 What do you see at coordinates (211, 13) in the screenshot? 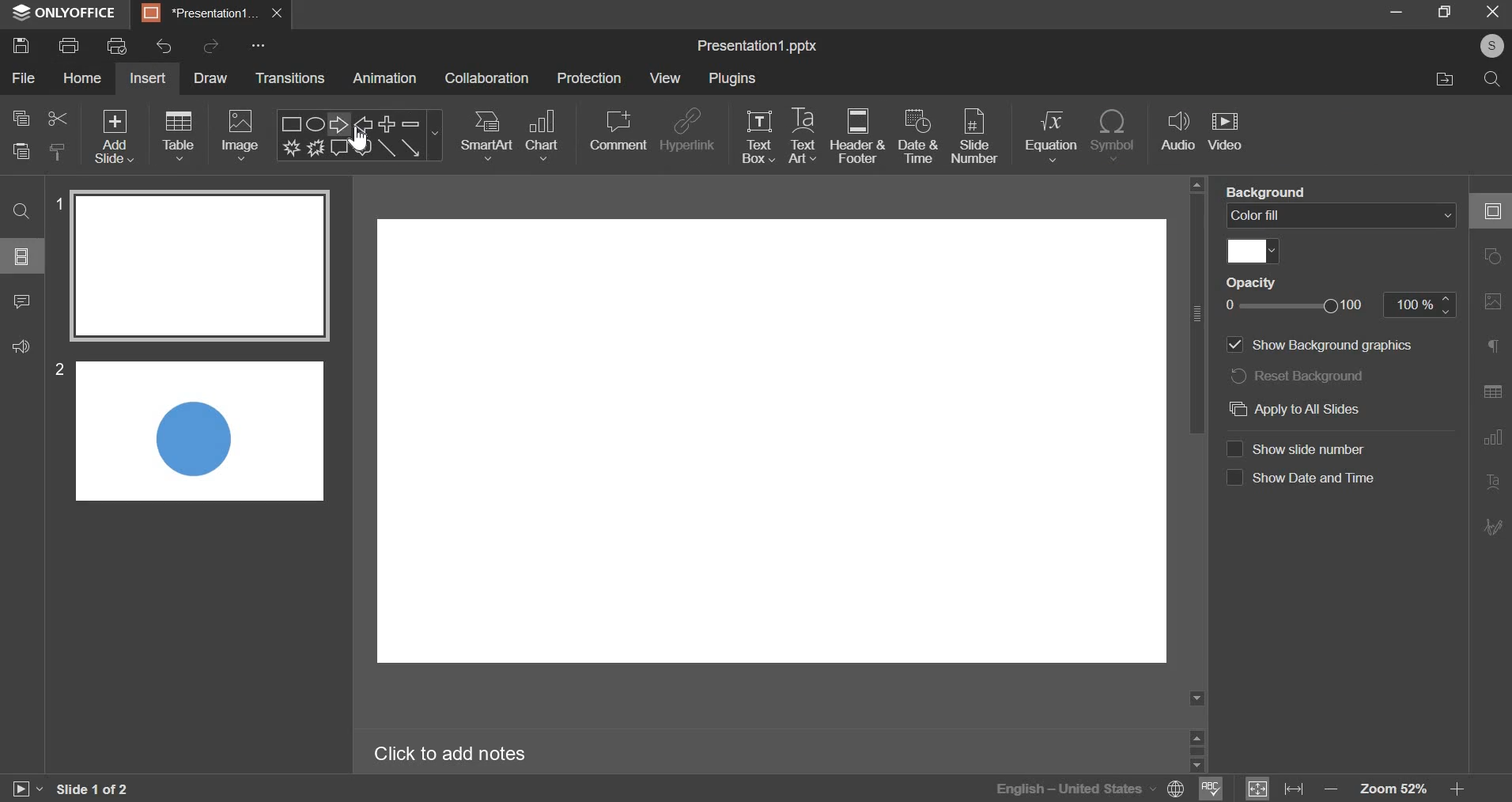
I see `presentation` at bounding box center [211, 13].